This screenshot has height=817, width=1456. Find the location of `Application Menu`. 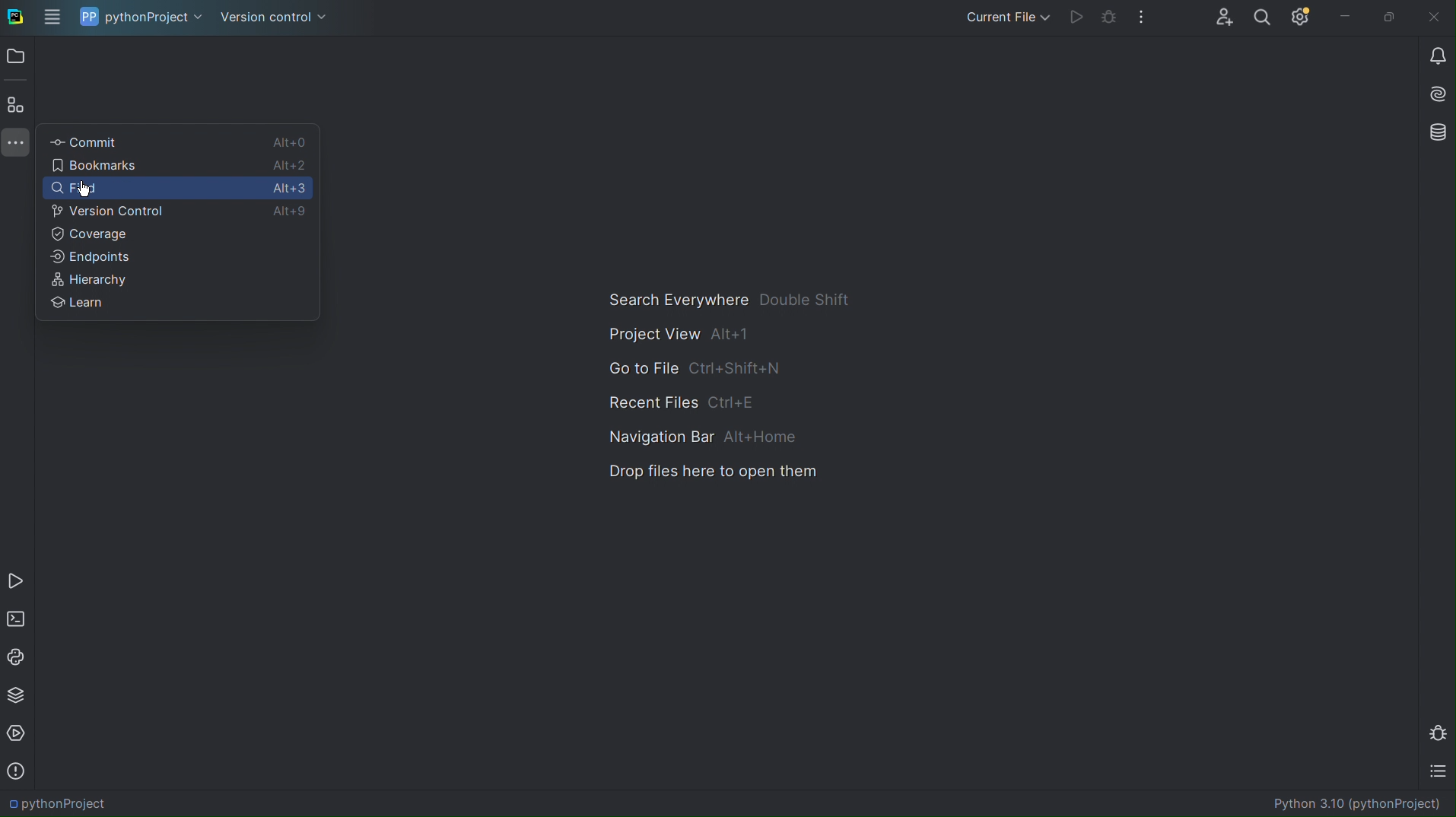

Application Menu is located at coordinates (52, 16).